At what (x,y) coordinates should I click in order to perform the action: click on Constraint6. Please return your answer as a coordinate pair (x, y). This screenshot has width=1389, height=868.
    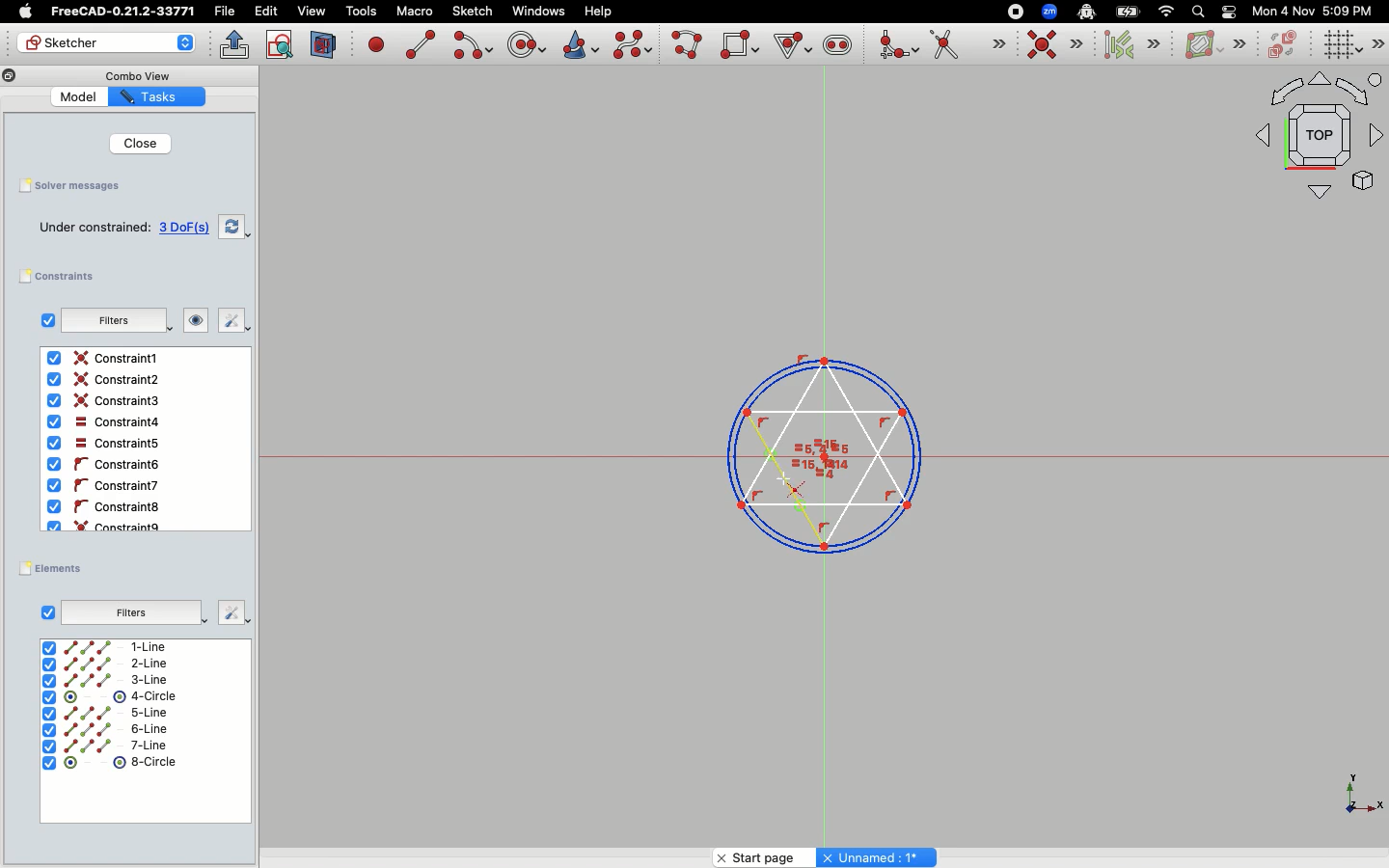
    Looking at the image, I should click on (108, 485).